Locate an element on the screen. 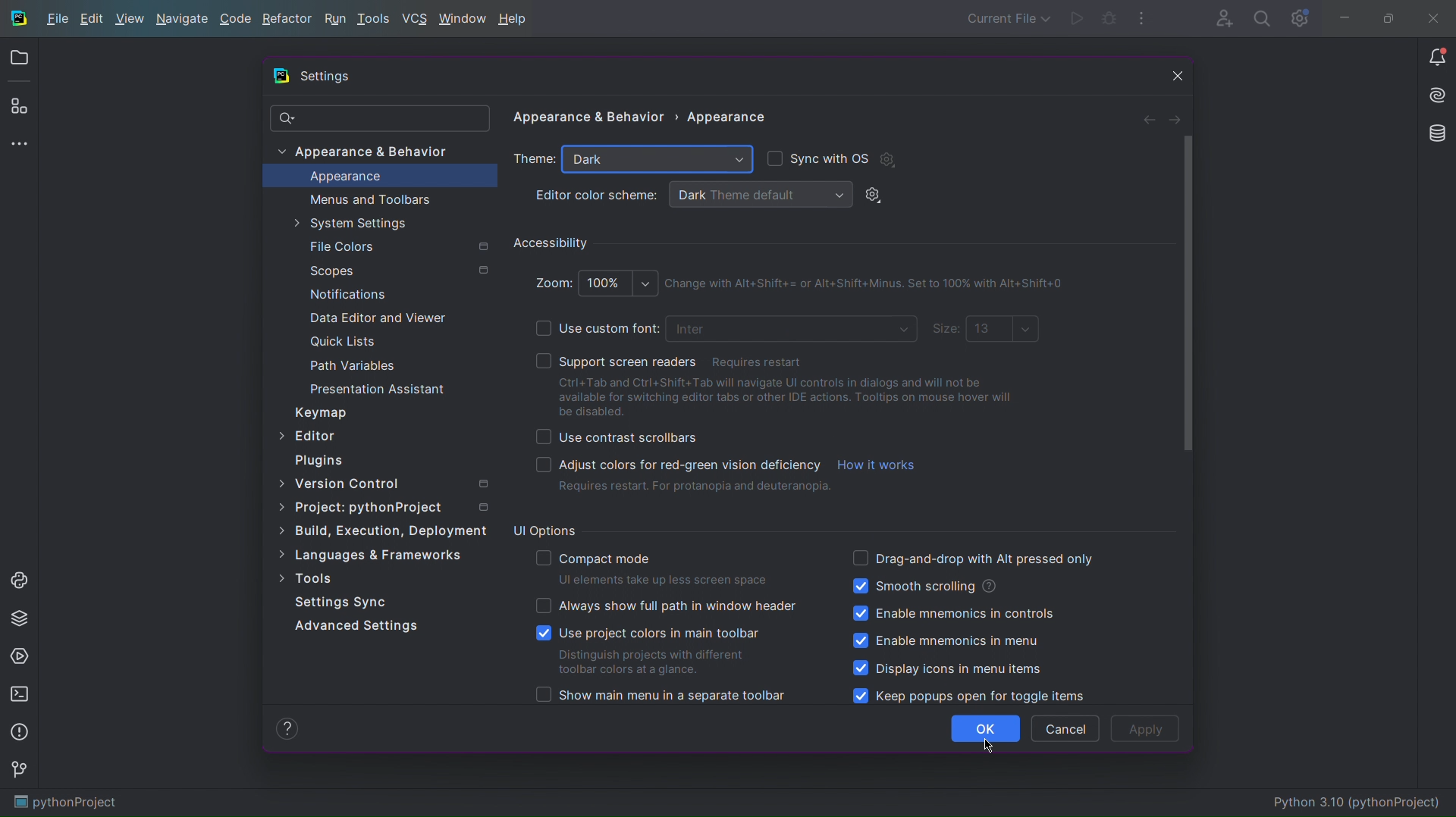  how it works is located at coordinates (877, 465).